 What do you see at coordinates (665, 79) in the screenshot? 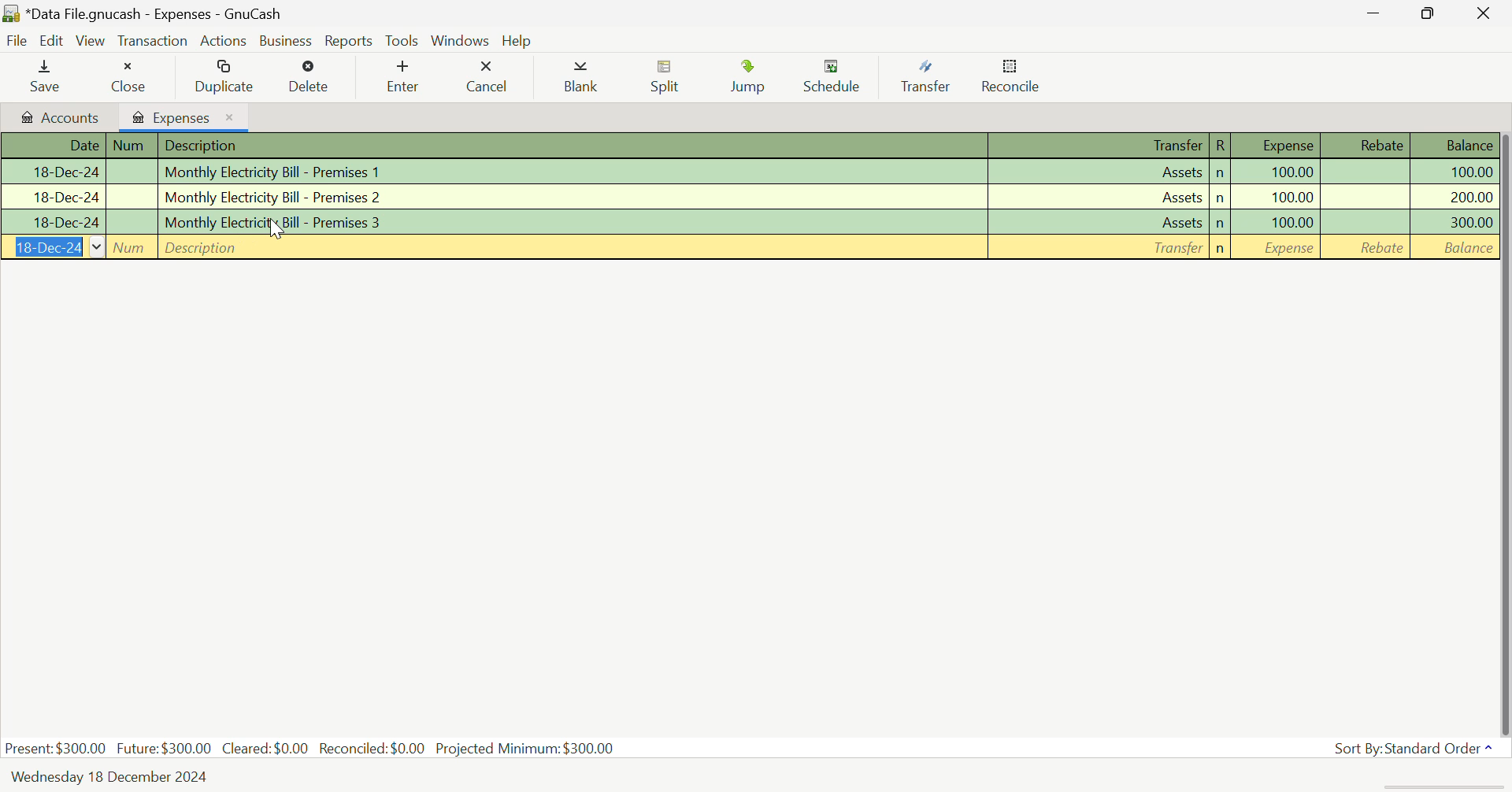
I see `Split` at bounding box center [665, 79].